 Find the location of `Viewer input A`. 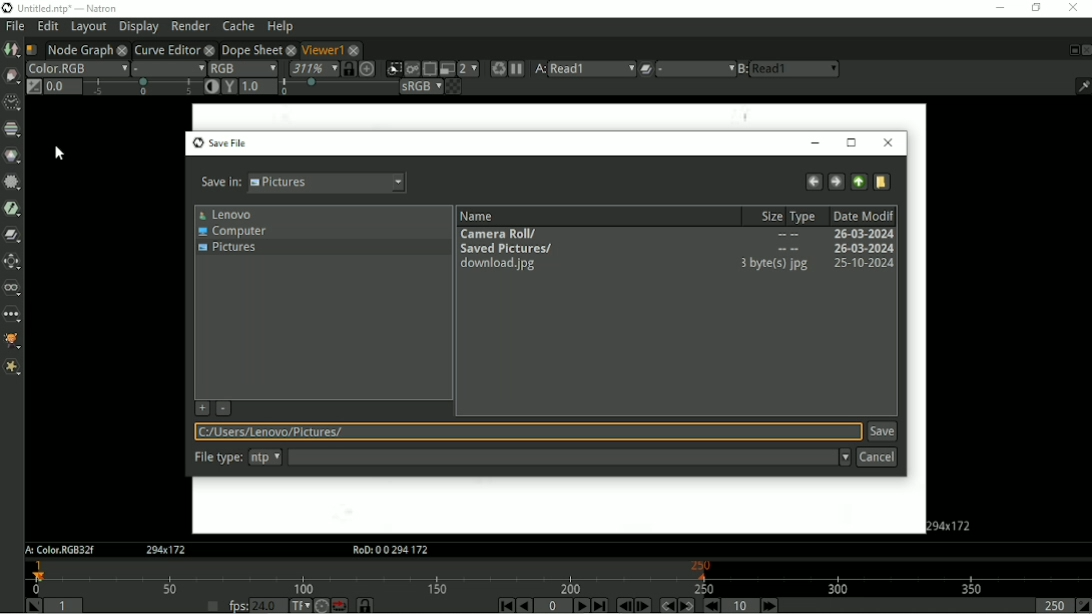

Viewer input A is located at coordinates (536, 69).